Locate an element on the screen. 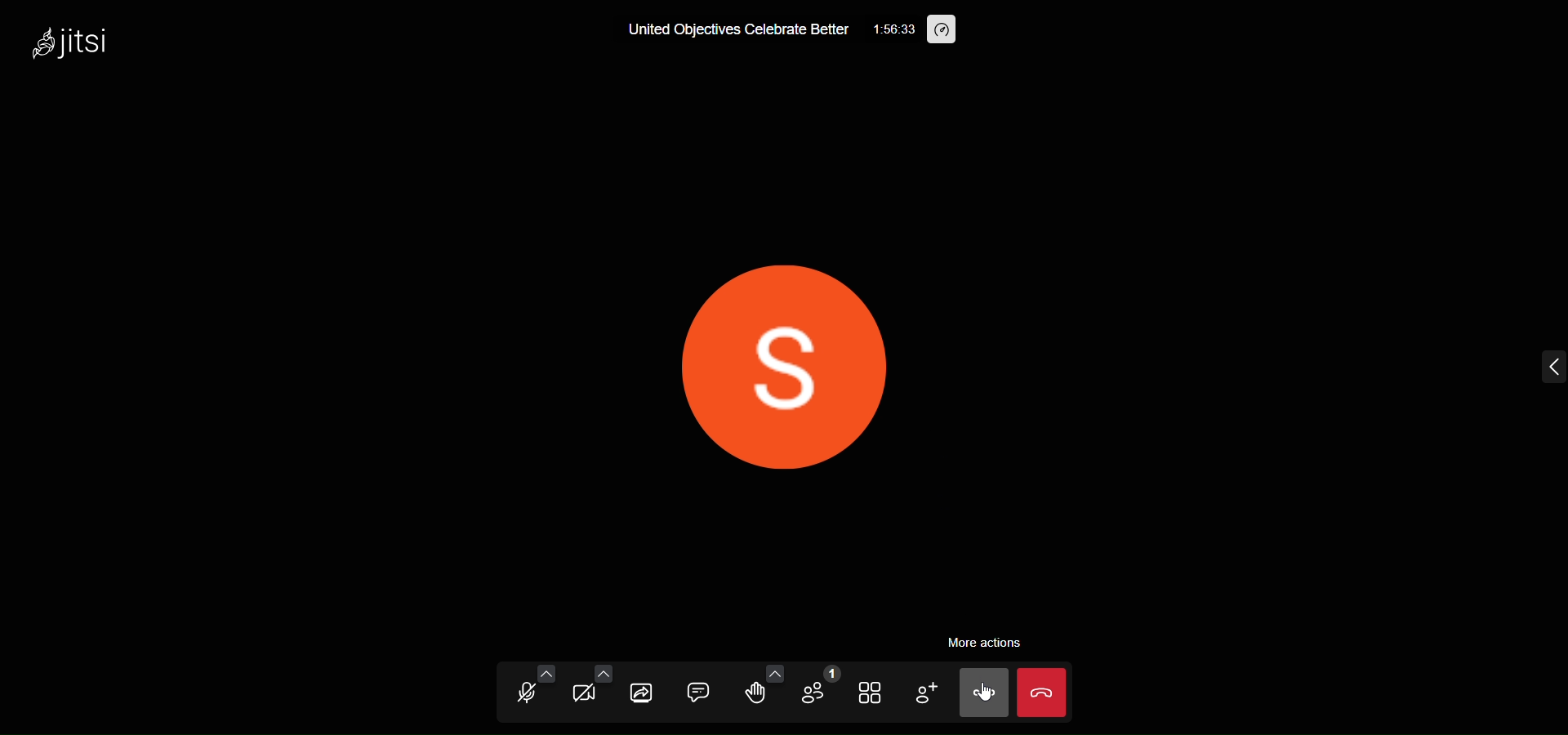 This screenshot has height=735, width=1568. 1:66:33 is located at coordinates (887, 29).